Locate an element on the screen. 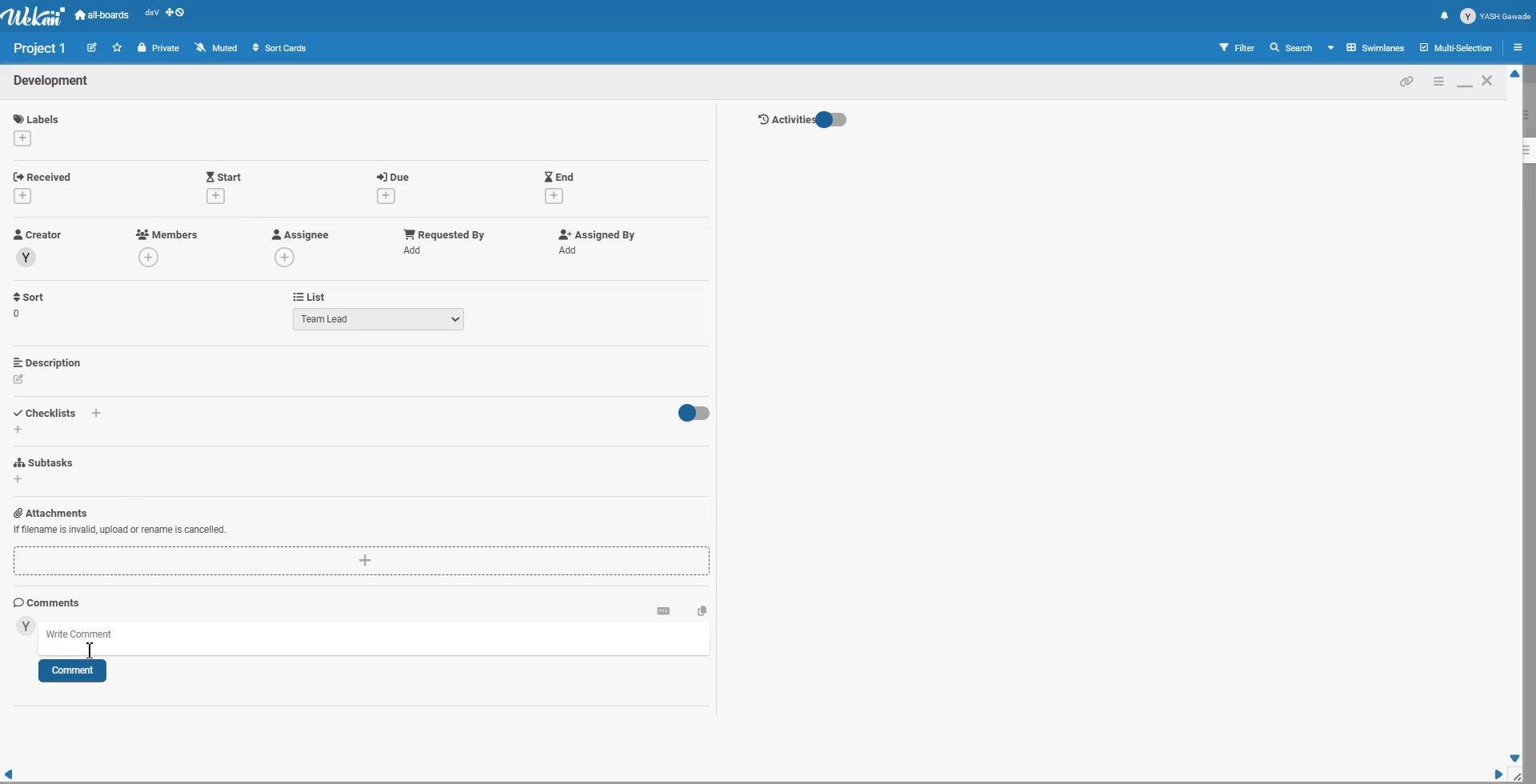  add is located at coordinates (151, 258).